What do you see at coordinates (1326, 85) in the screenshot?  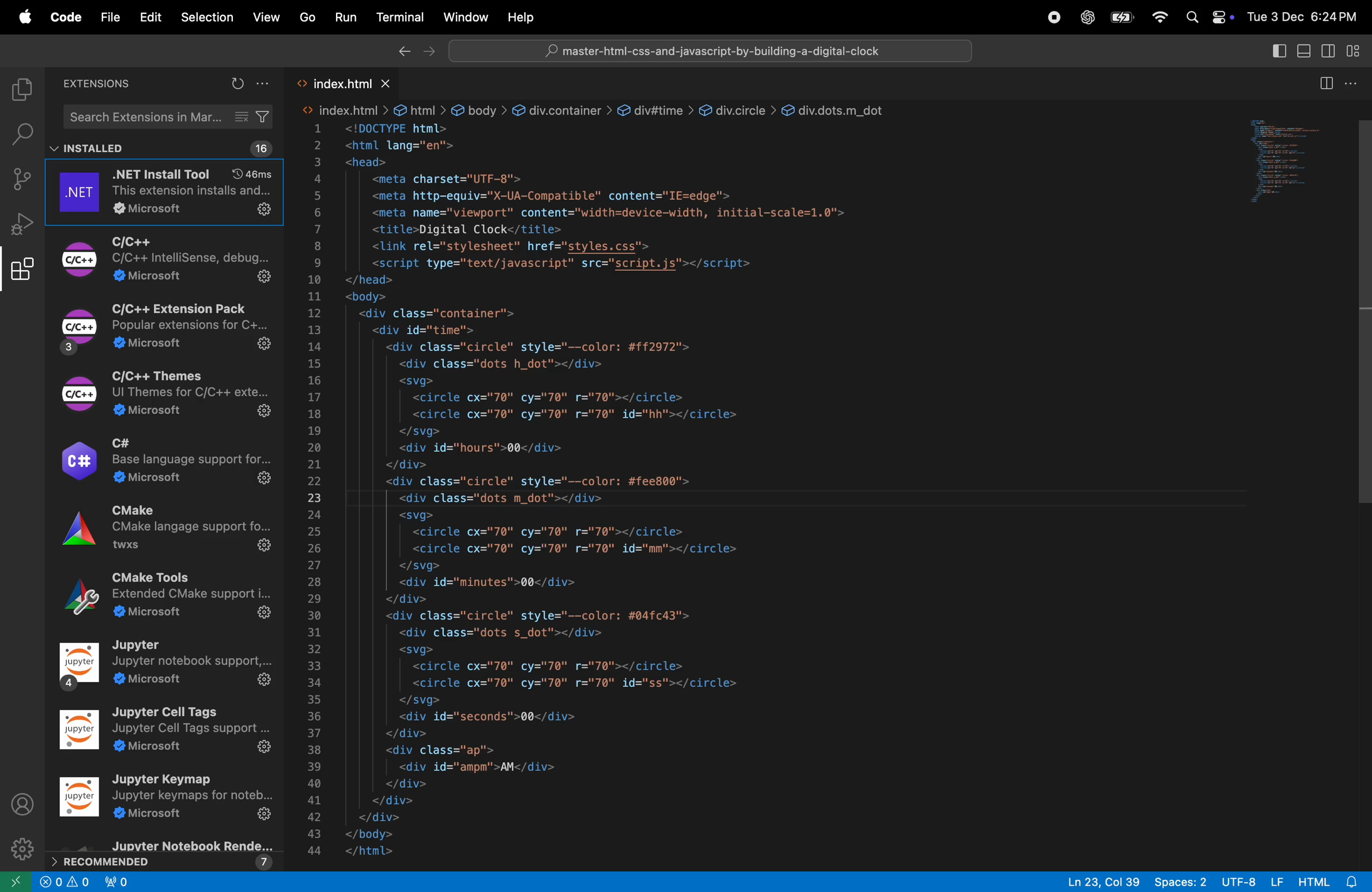 I see `split editor` at bounding box center [1326, 85].